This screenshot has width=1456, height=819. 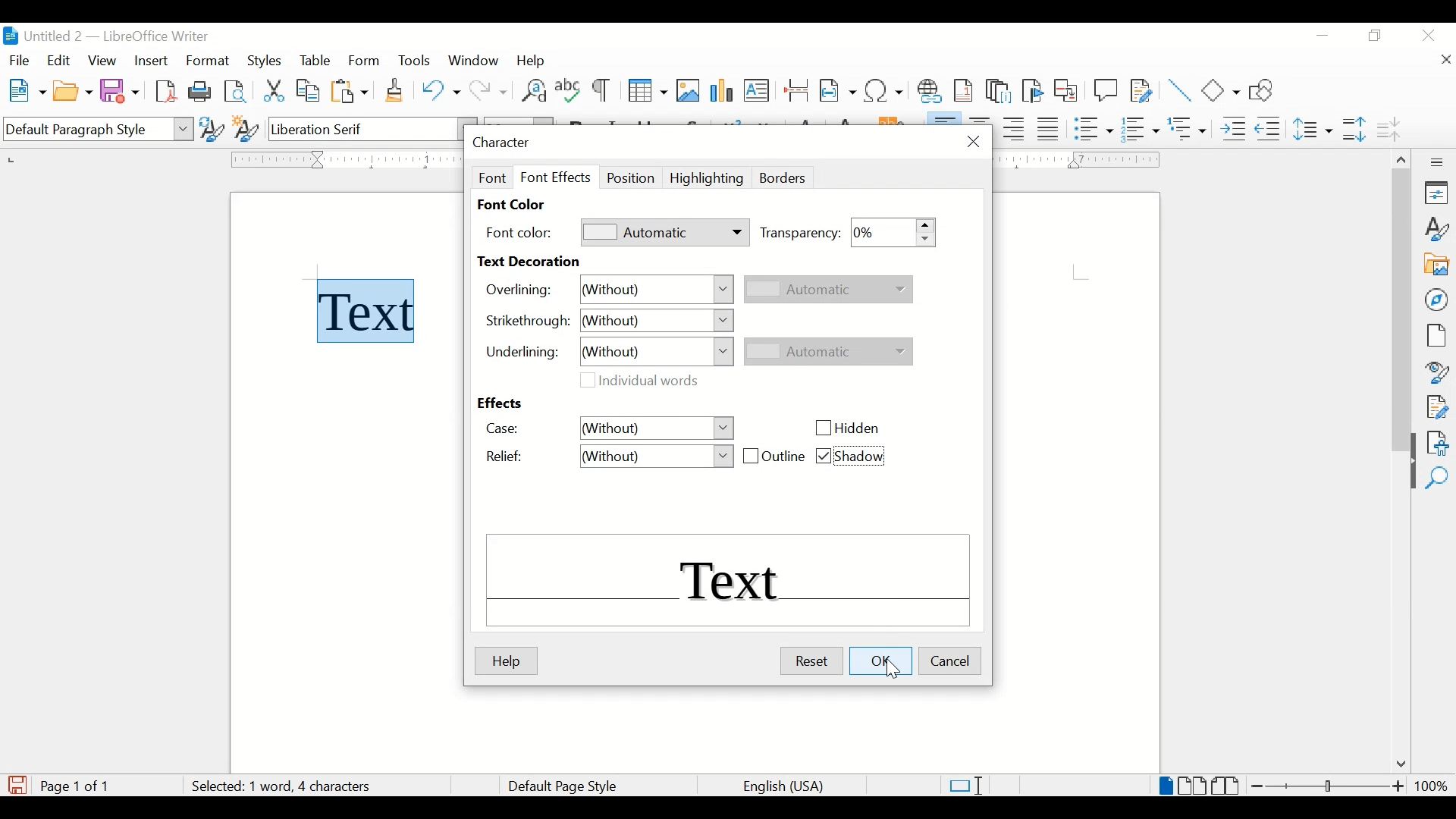 I want to click on styles, so click(x=266, y=61).